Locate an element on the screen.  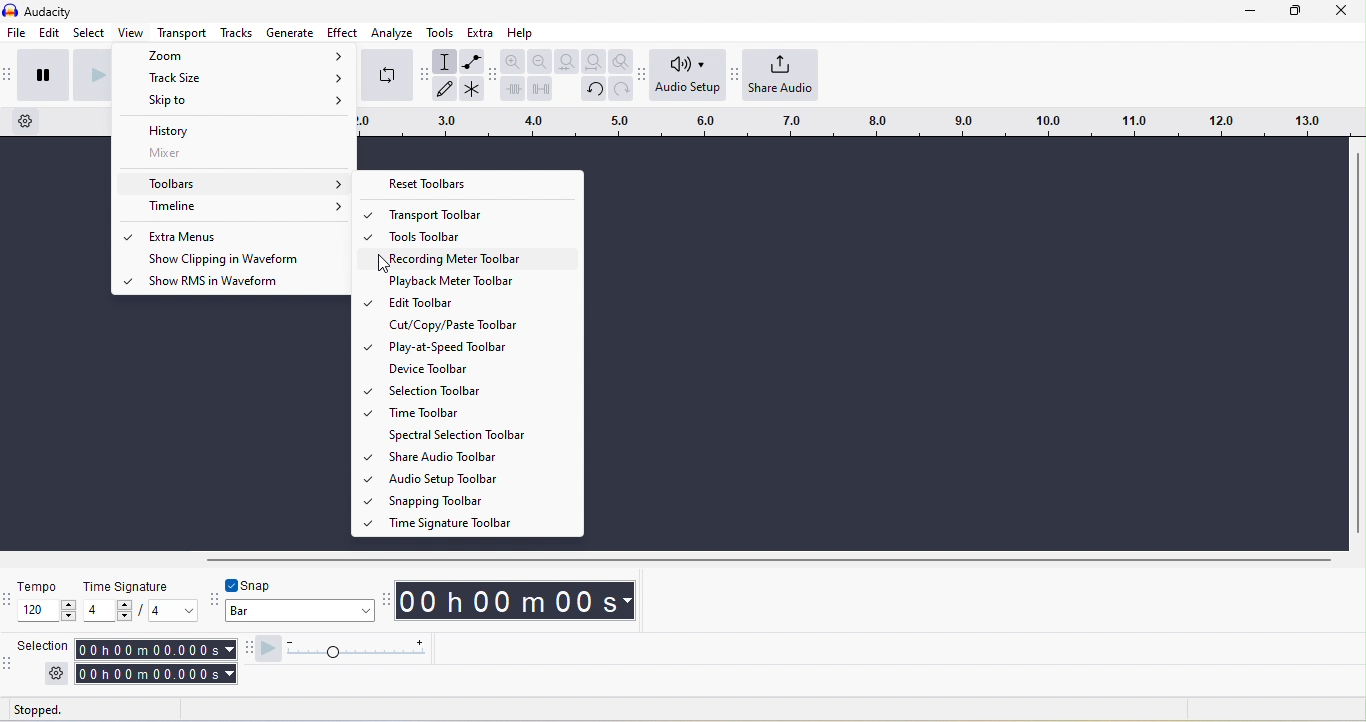
selection is located at coordinates (44, 645).